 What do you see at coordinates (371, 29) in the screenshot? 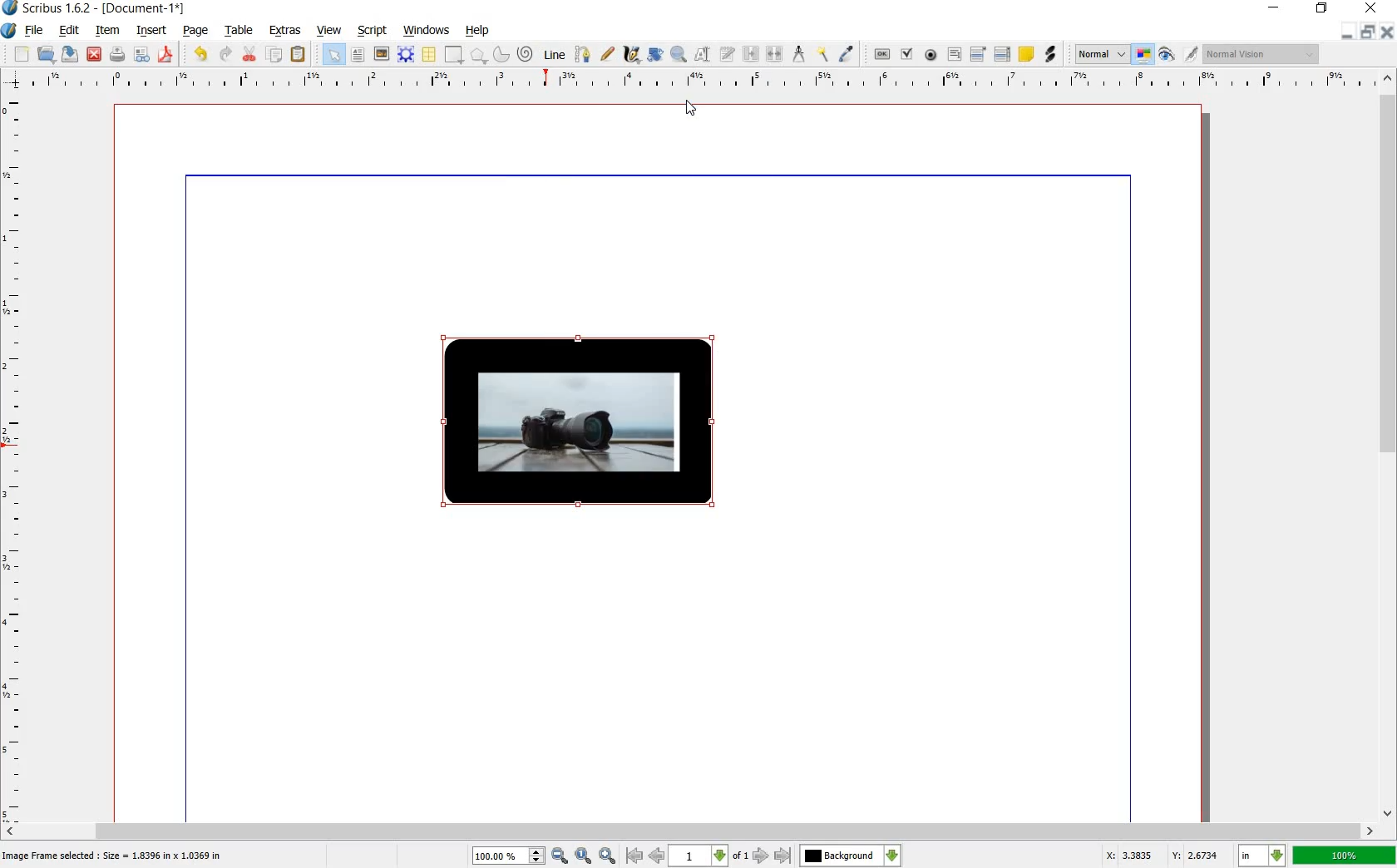
I see `script` at bounding box center [371, 29].